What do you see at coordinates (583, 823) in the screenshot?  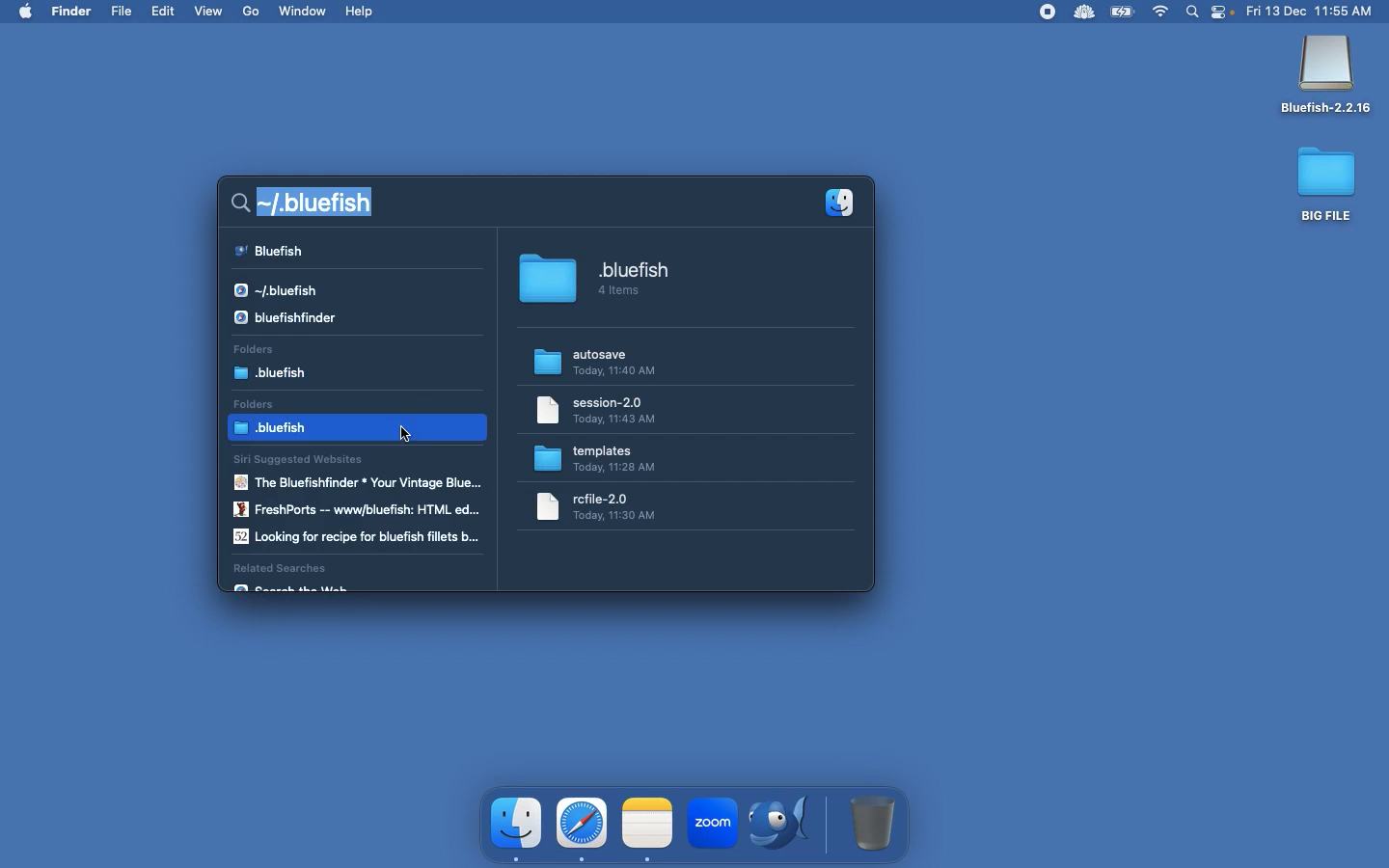 I see `safari` at bounding box center [583, 823].